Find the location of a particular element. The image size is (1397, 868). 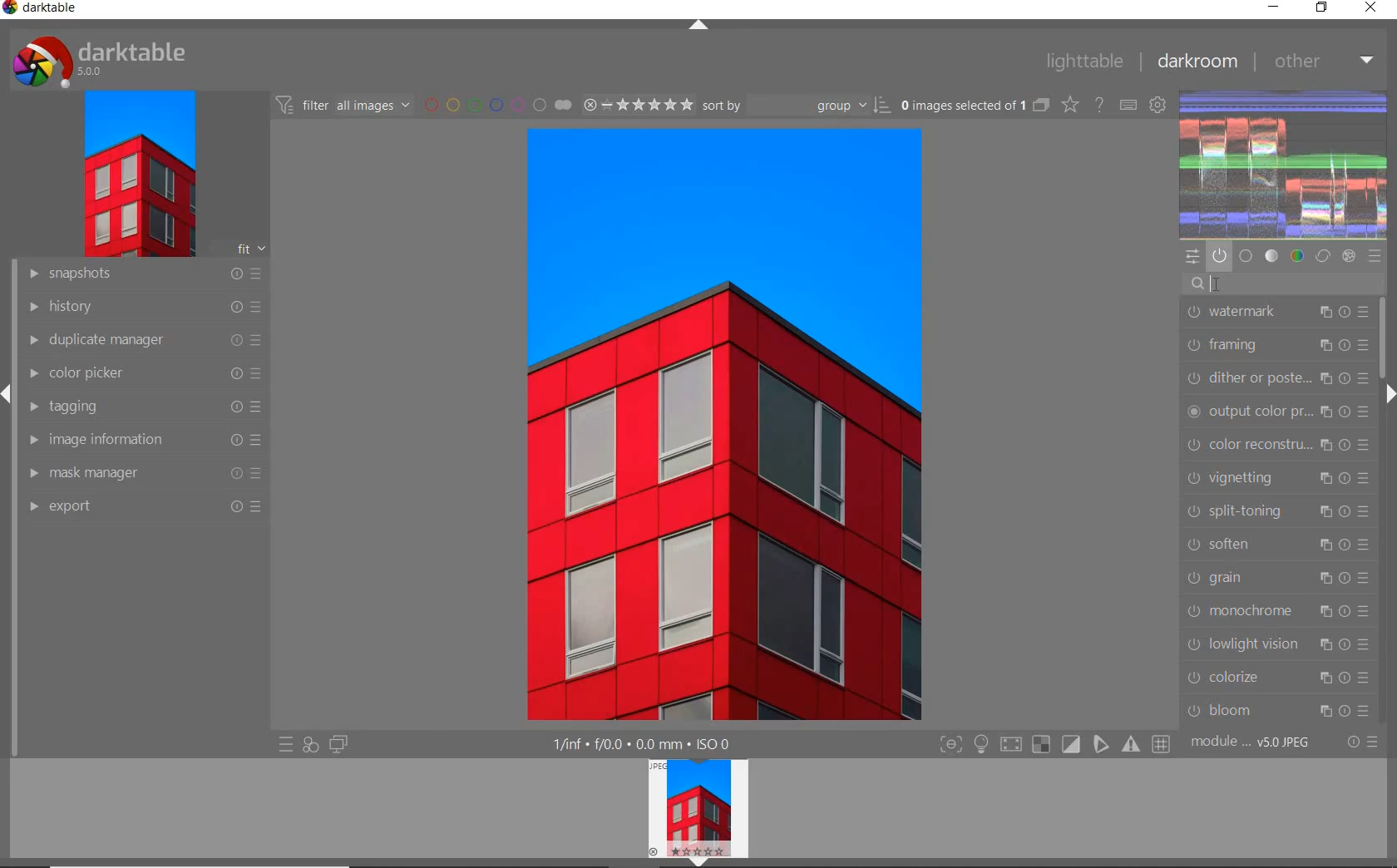

filter all images is located at coordinates (344, 105).